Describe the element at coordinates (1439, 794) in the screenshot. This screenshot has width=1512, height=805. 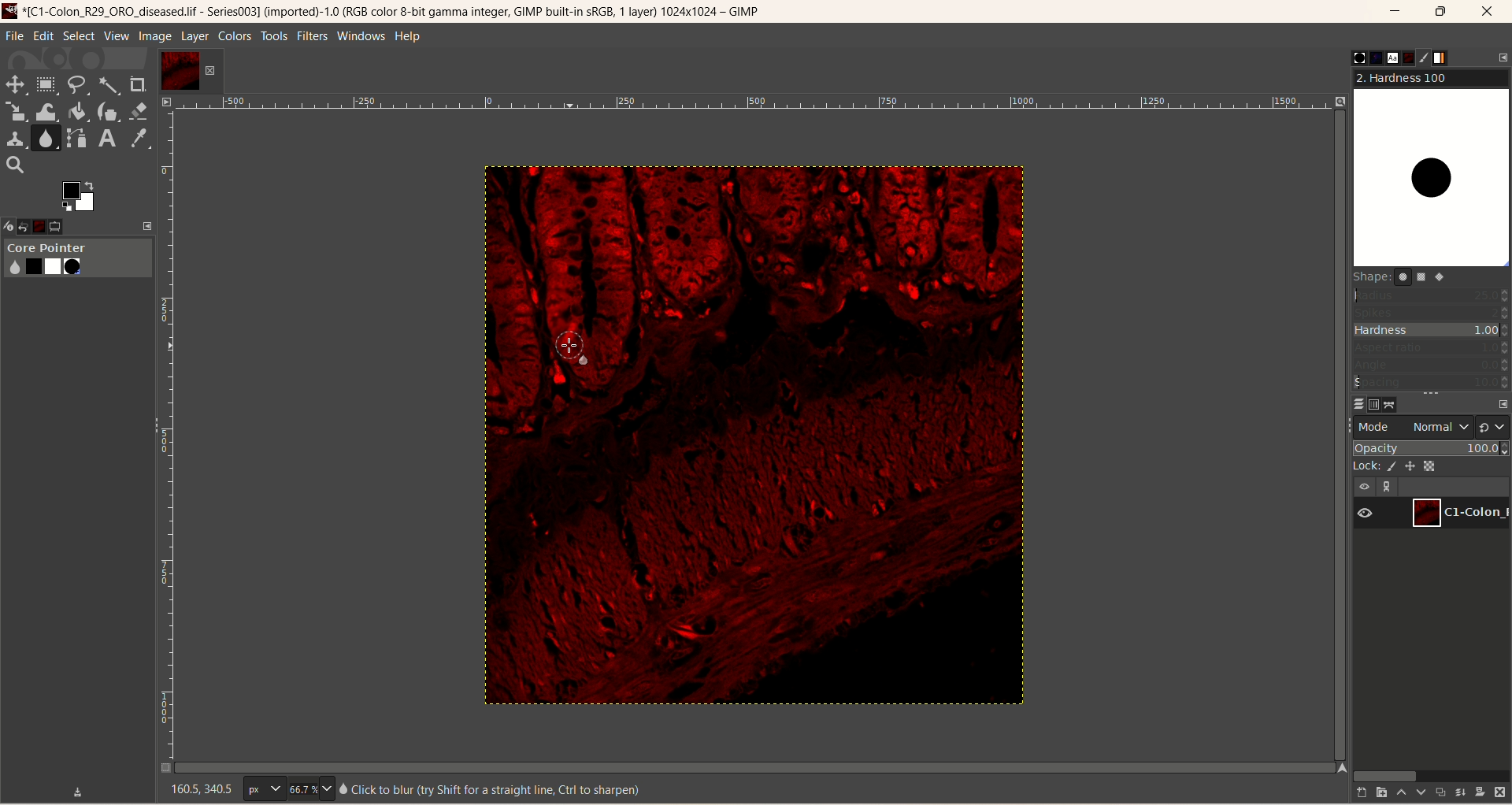
I see `duplicate the layer` at that location.